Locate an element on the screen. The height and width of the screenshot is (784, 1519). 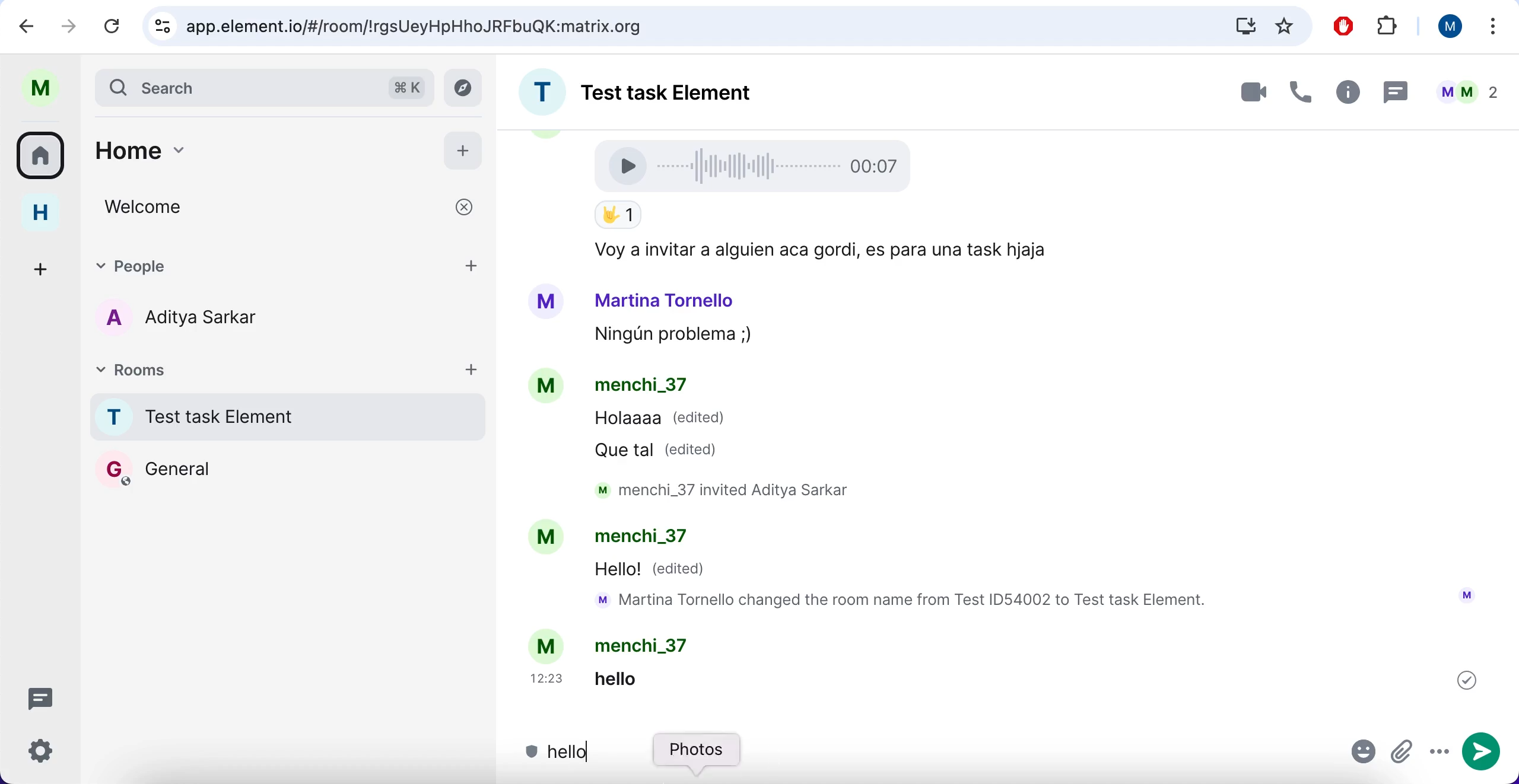
Voice Recording 00:07 is located at coordinates (757, 165).